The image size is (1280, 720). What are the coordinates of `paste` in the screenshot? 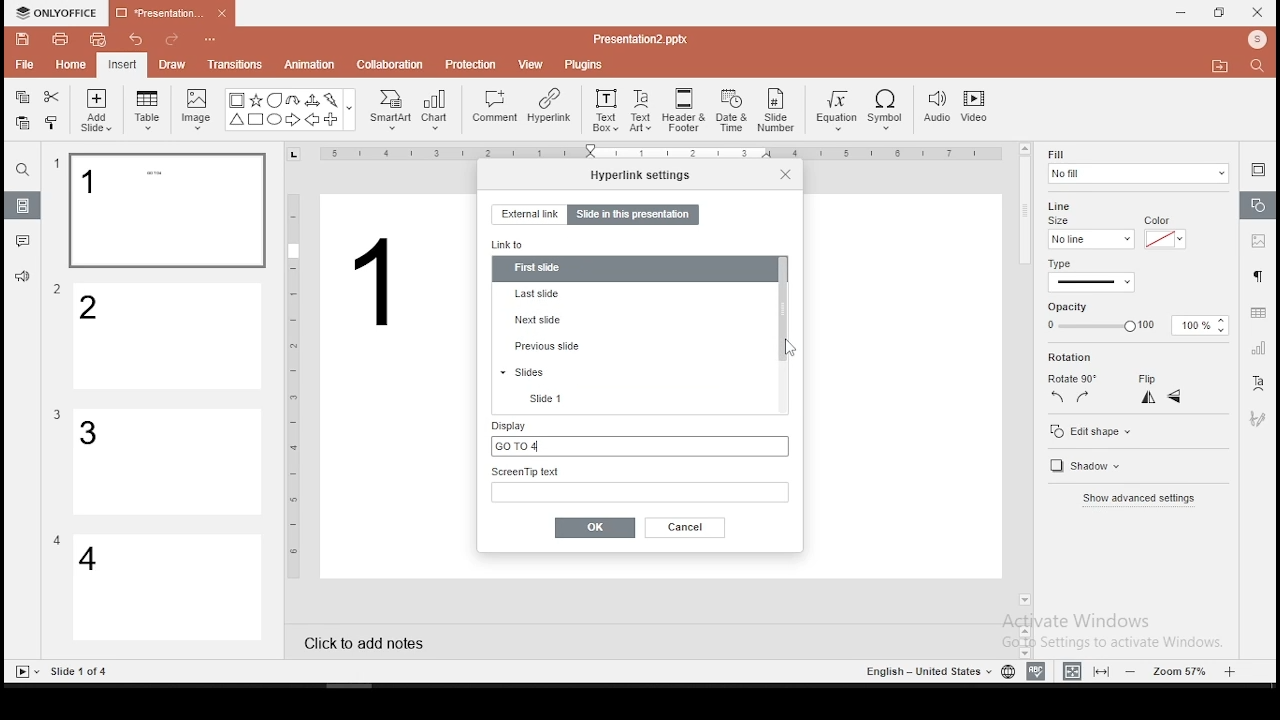 It's located at (21, 123).